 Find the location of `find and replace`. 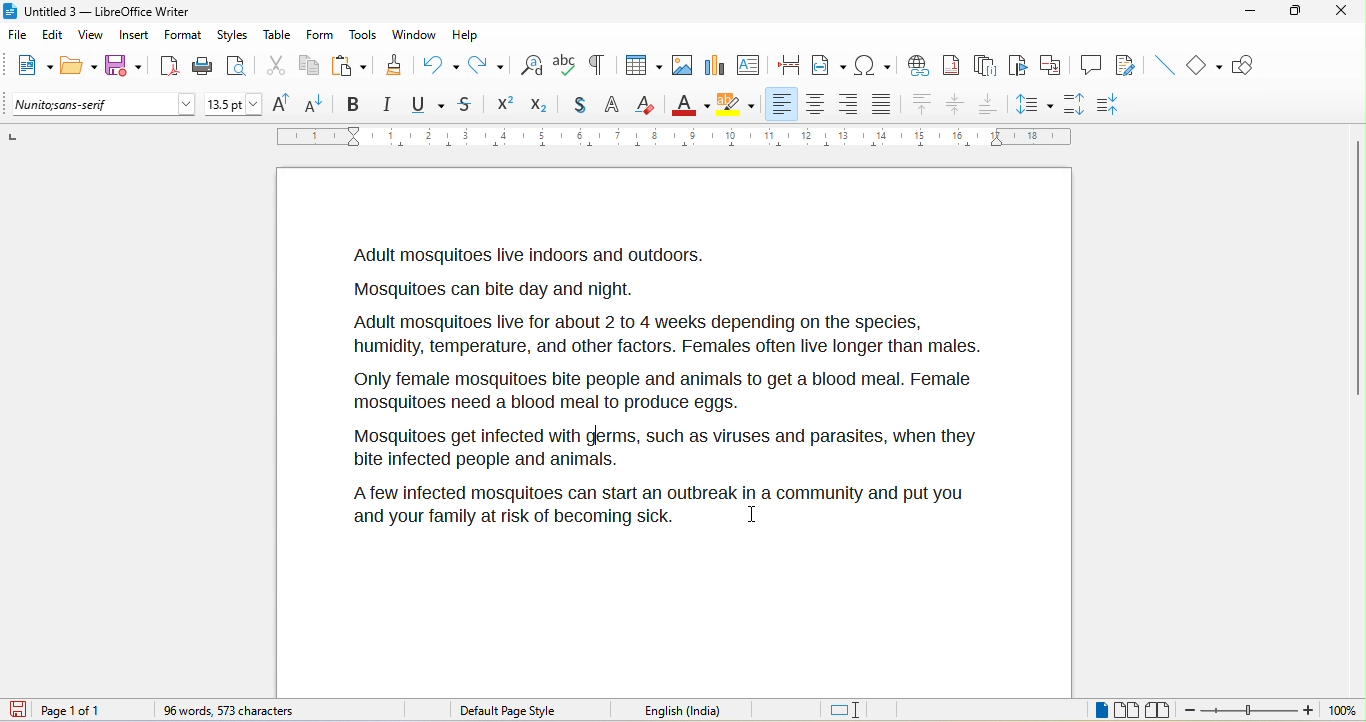

find and replace is located at coordinates (532, 63).